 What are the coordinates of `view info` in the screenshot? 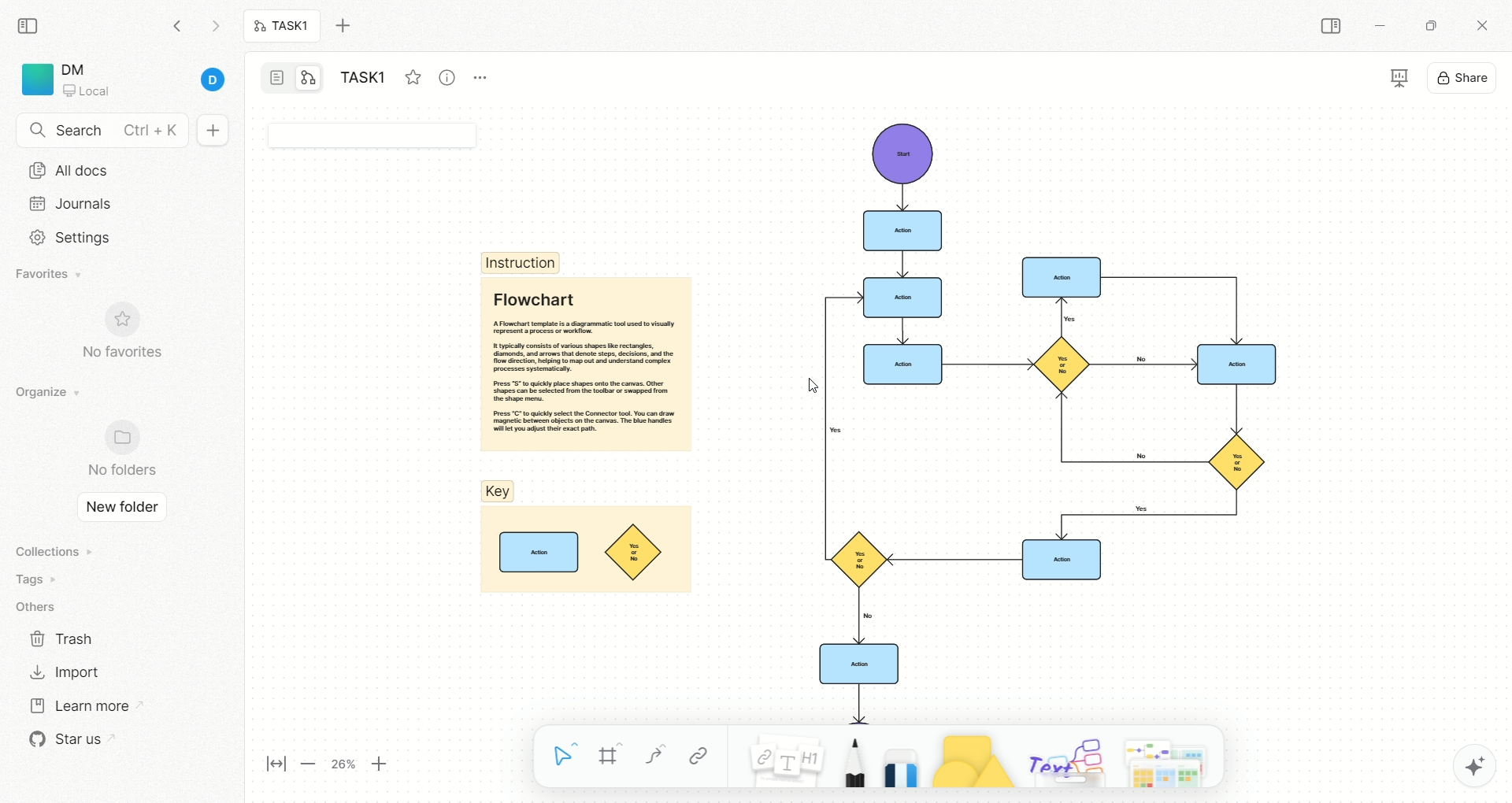 It's located at (450, 78).